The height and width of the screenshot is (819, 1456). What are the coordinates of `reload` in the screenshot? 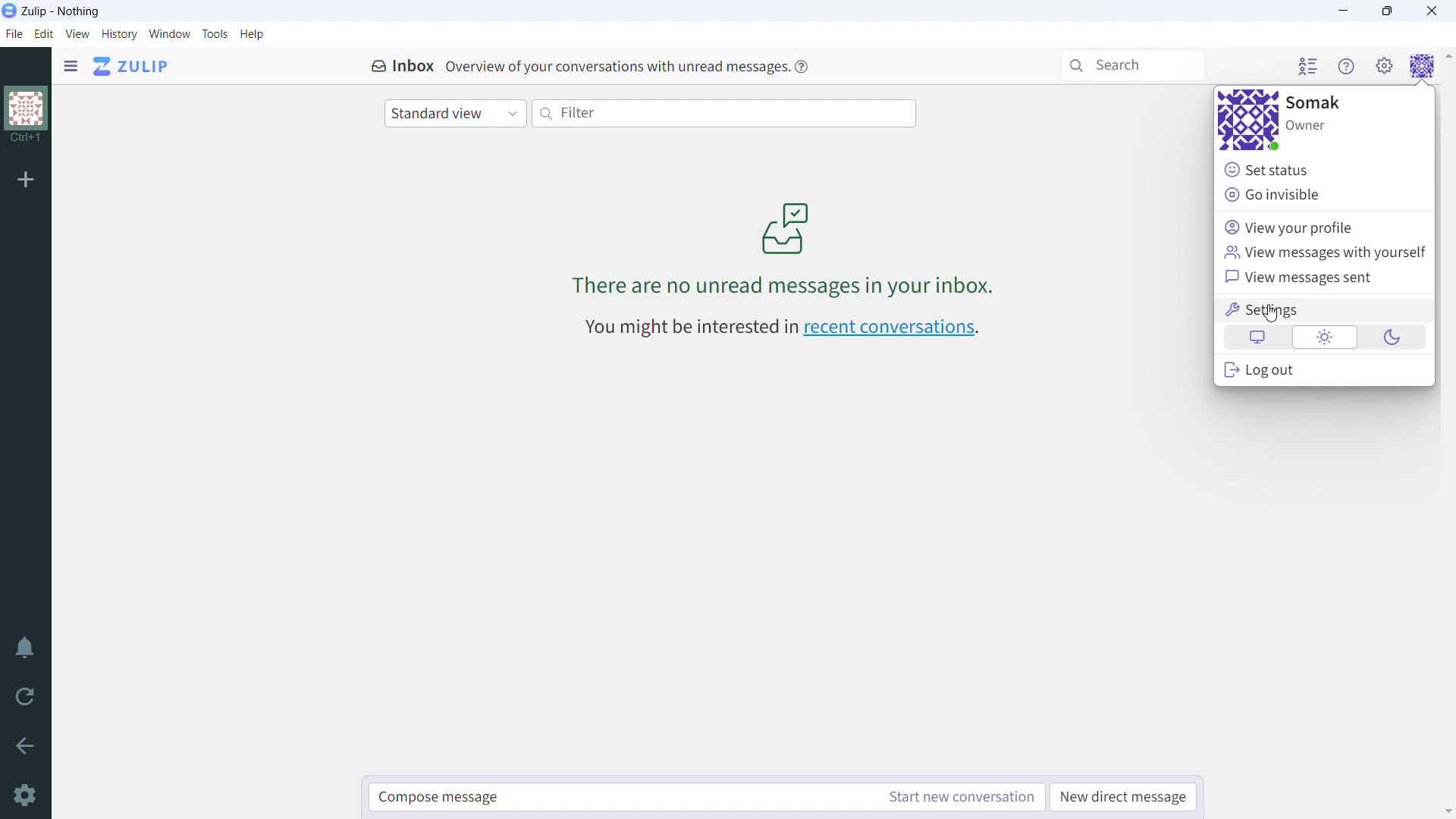 It's located at (24, 695).